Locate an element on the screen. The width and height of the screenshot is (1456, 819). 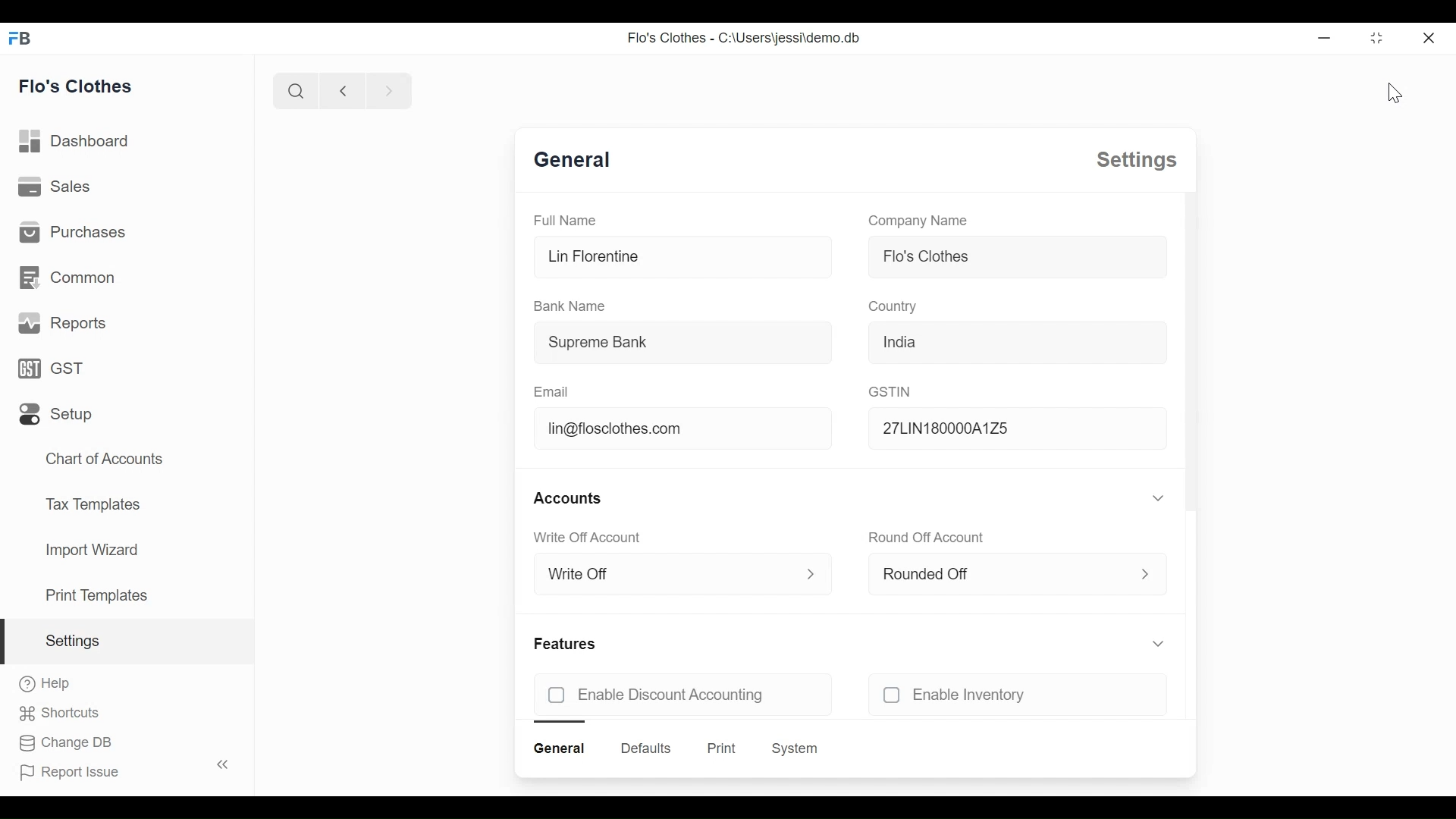
tax templates is located at coordinates (90, 503).